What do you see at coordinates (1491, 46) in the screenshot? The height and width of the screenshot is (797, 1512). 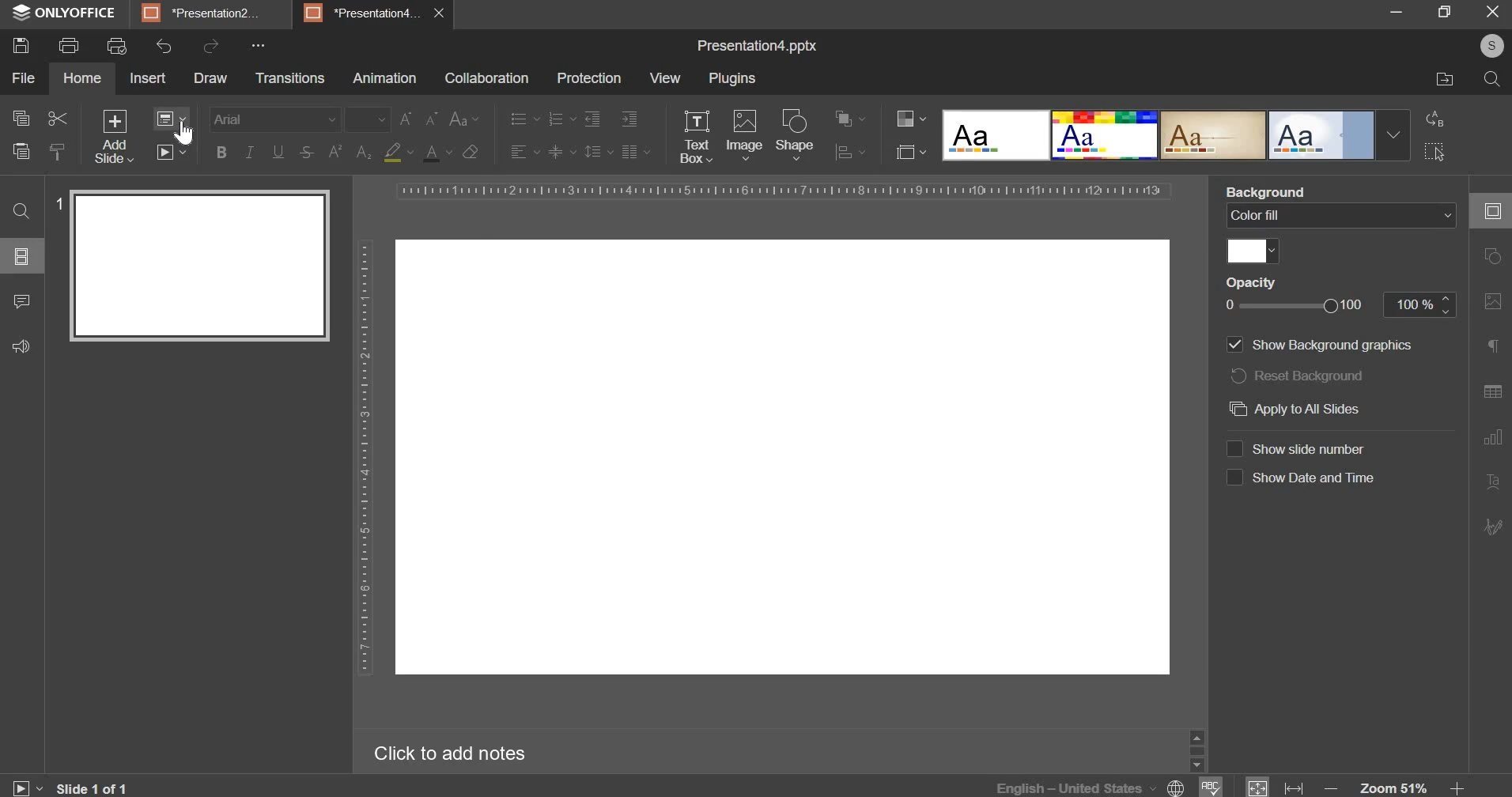 I see `user profile` at bounding box center [1491, 46].